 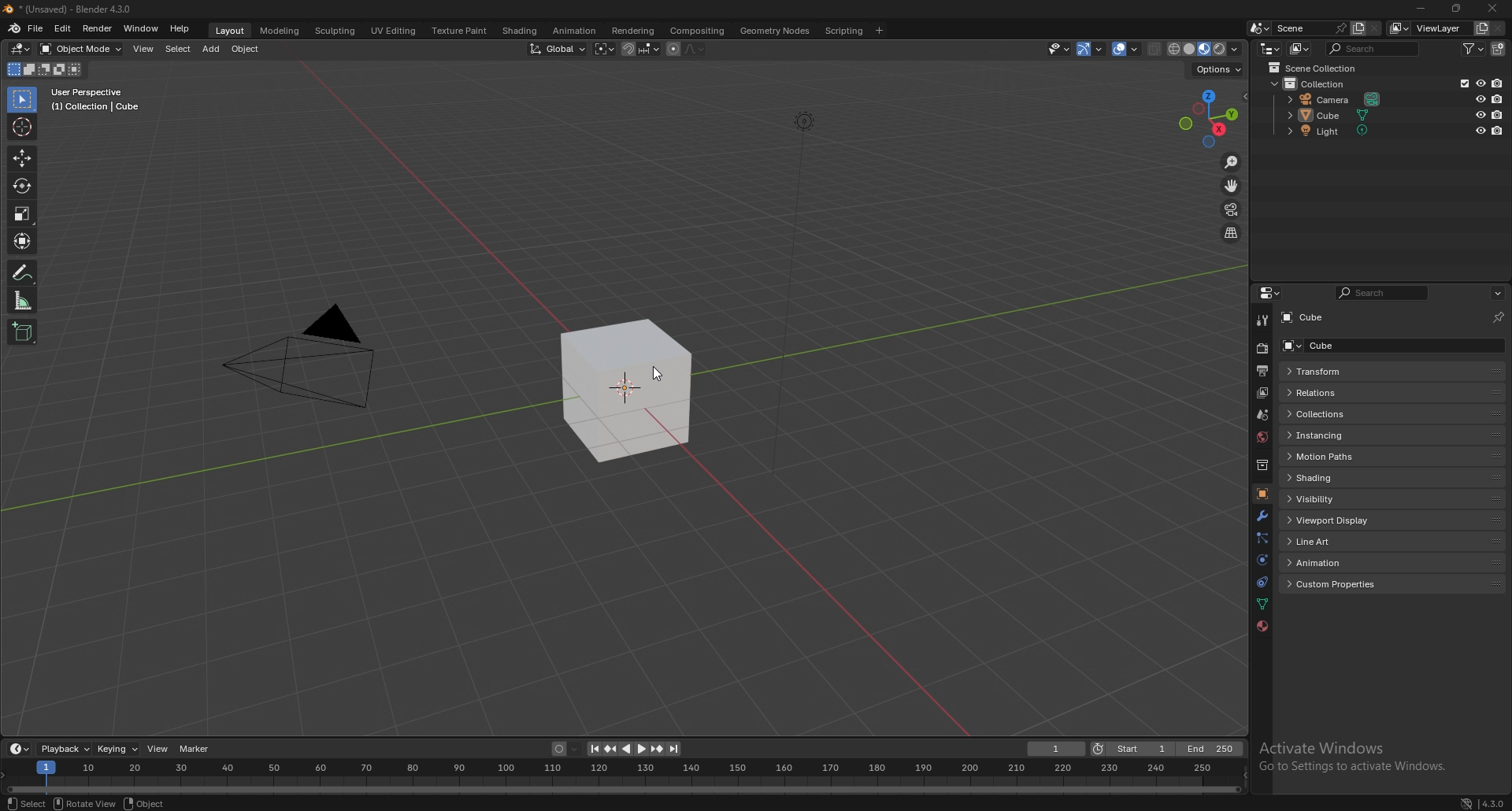 What do you see at coordinates (1499, 28) in the screenshot?
I see `remove view layer` at bounding box center [1499, 28].